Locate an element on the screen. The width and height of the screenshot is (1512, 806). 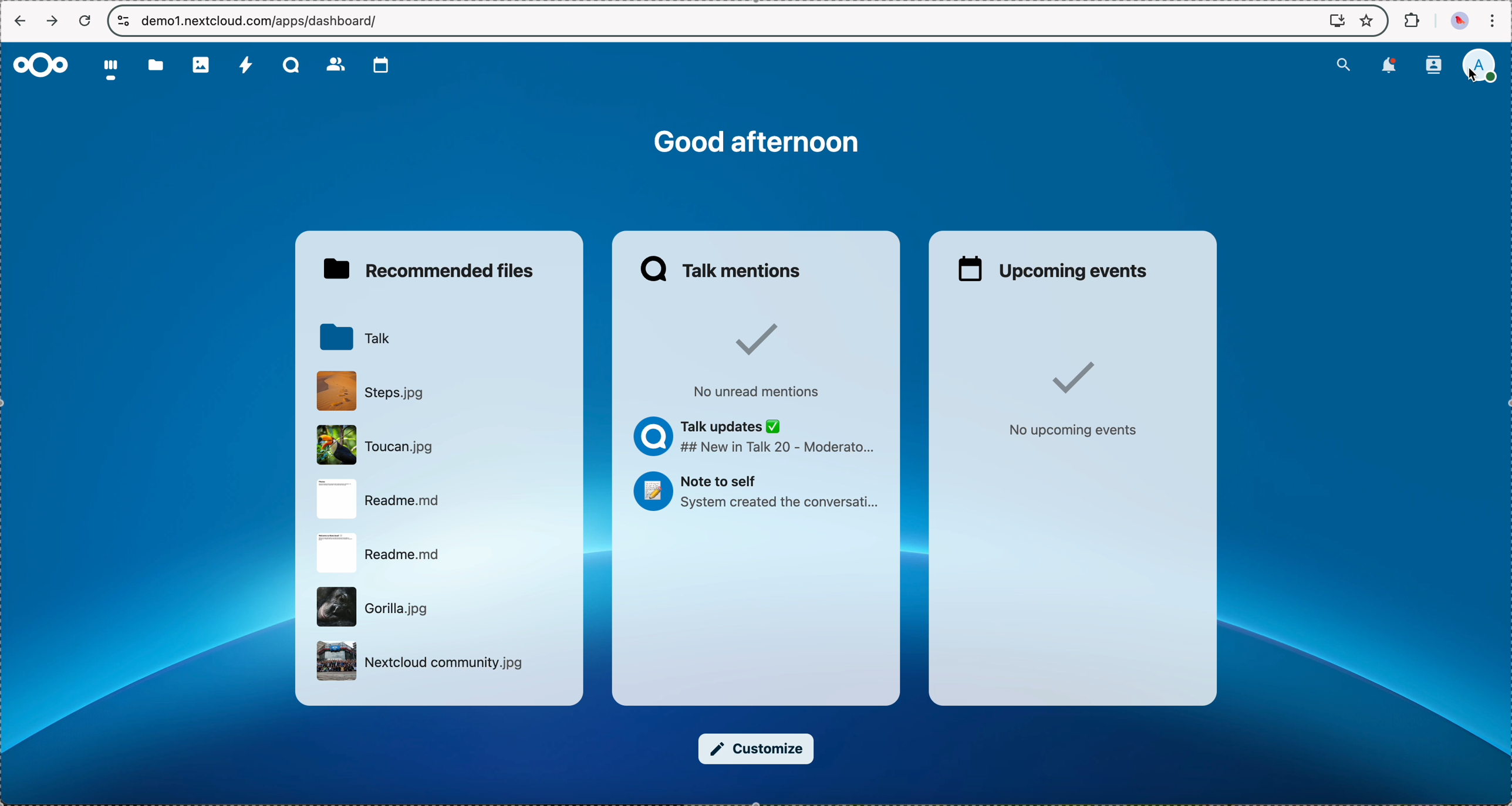
good afternoon is located at coordinates (761, 143).